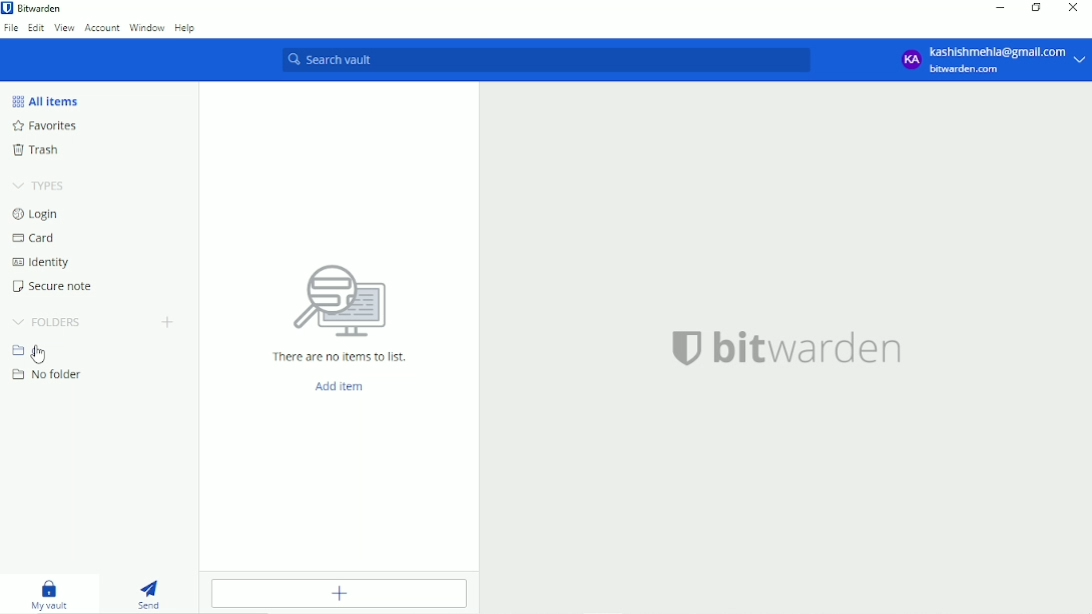 The height and width of the screenshot is (614, 1092). I want to click on Add folder, so click(166, 323).